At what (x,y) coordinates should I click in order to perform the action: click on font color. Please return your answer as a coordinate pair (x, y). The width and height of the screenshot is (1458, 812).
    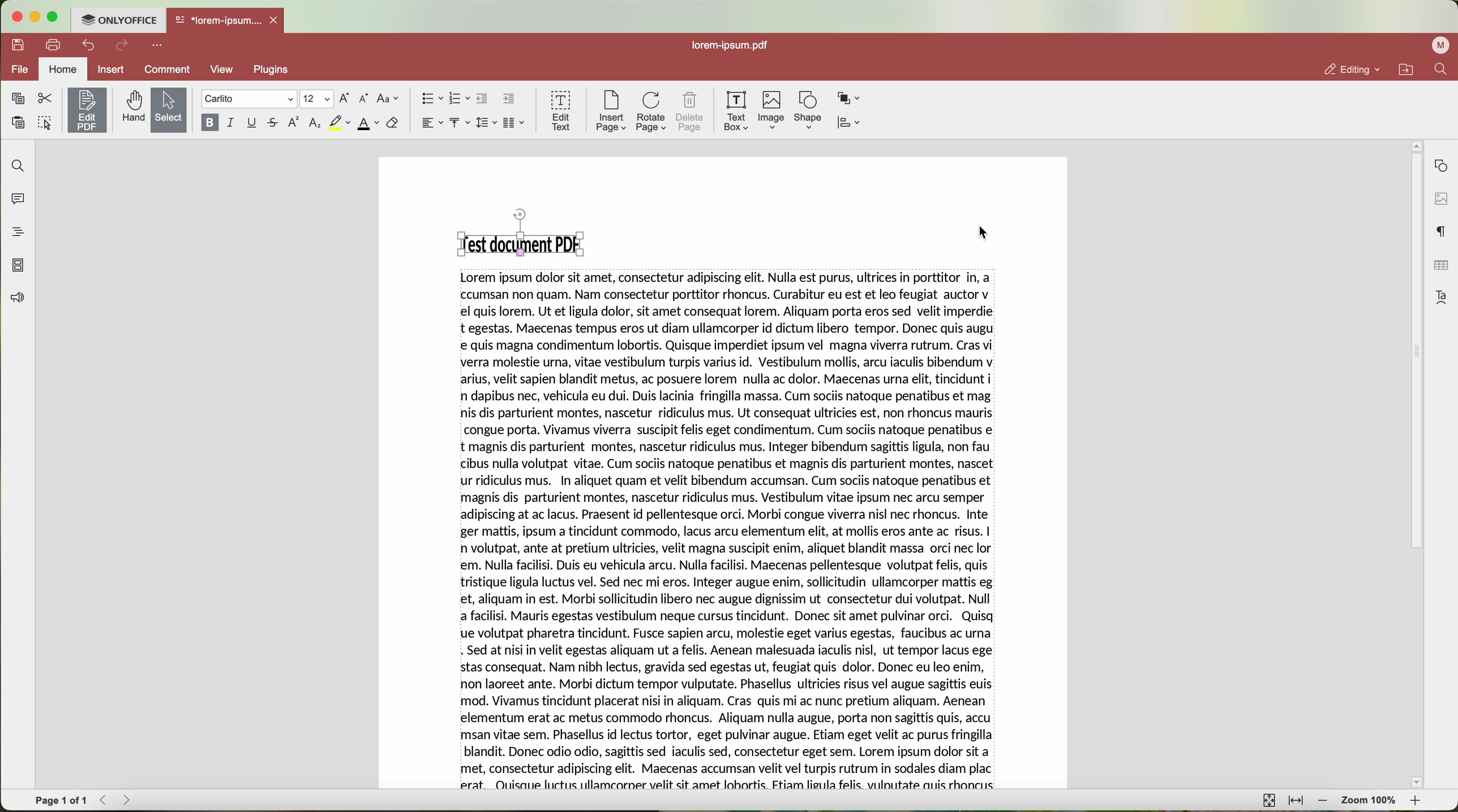
    Looking at the image, I should click on (368, 124).